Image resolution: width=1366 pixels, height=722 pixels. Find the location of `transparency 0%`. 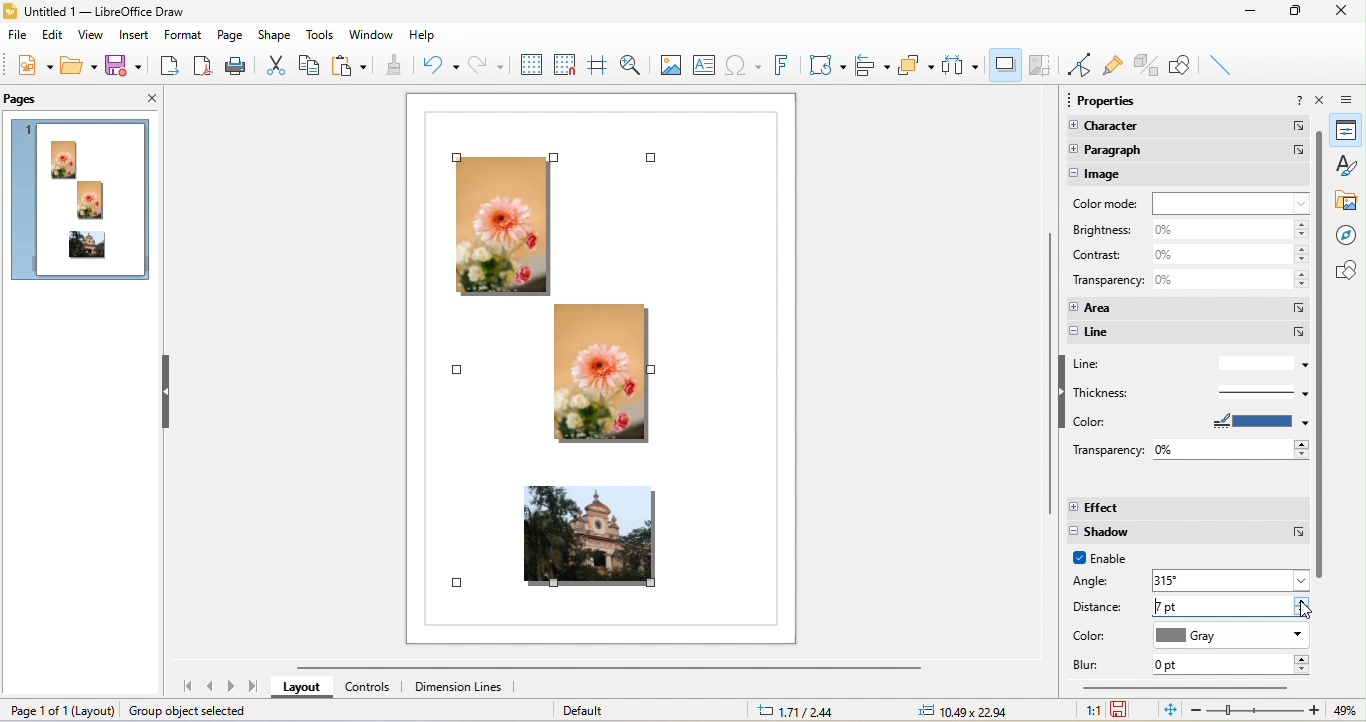

transparency 0% is located at coordinates (1190, 448).